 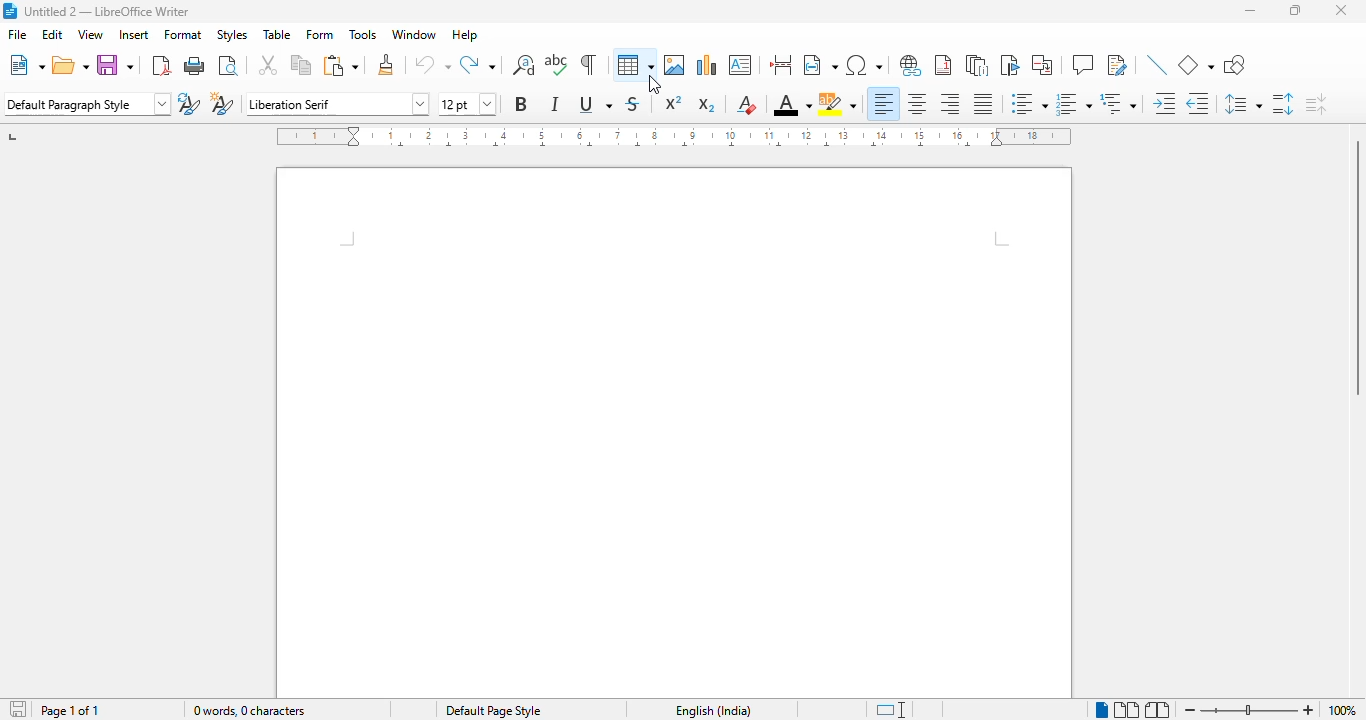 I want to click on save, so click(x=116, y=64).